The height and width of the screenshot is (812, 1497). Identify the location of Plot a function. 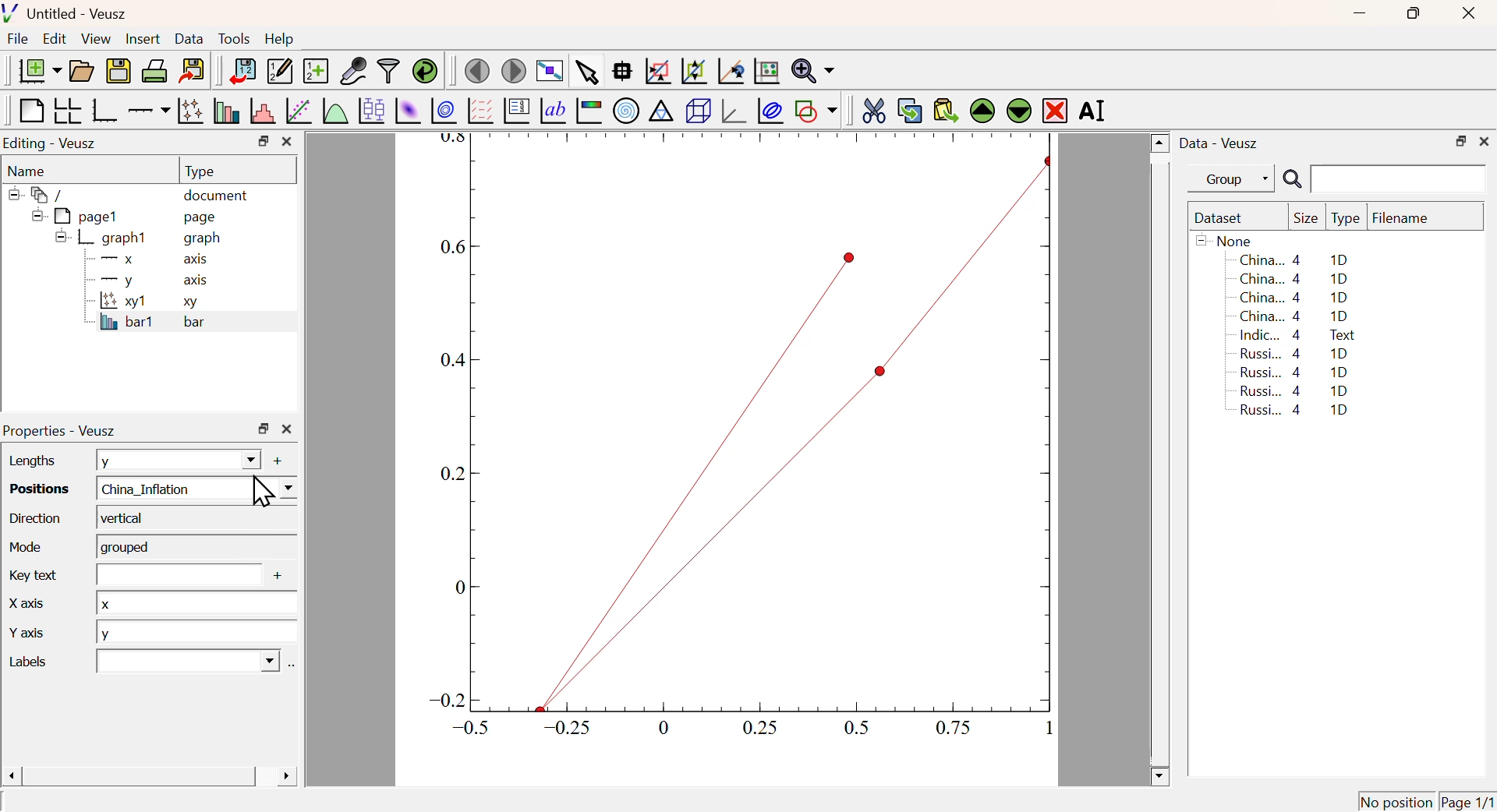
(333, 111).